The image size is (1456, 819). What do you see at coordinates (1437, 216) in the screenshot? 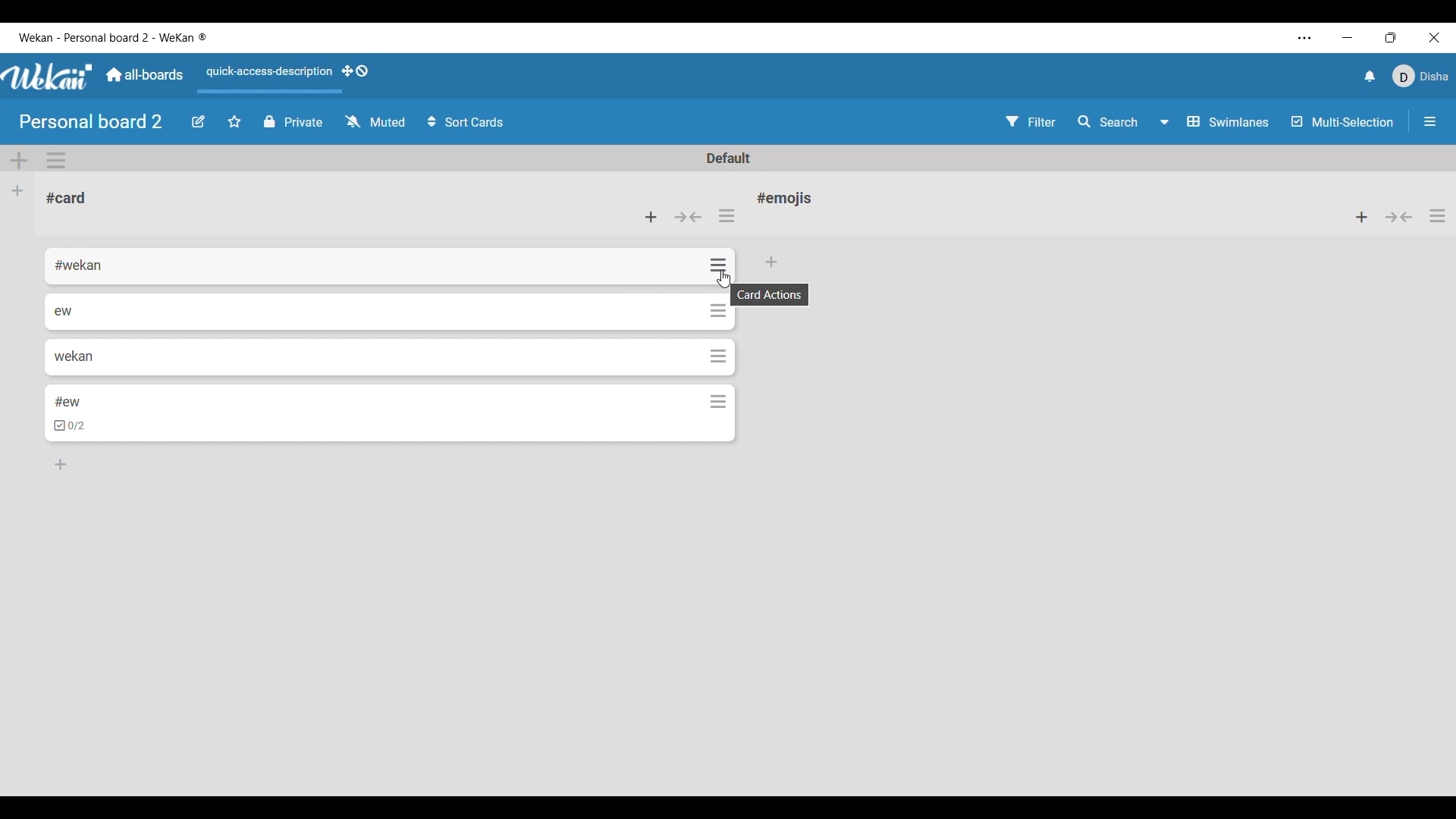
I see `List actions` at bounding box center [1437, 216].